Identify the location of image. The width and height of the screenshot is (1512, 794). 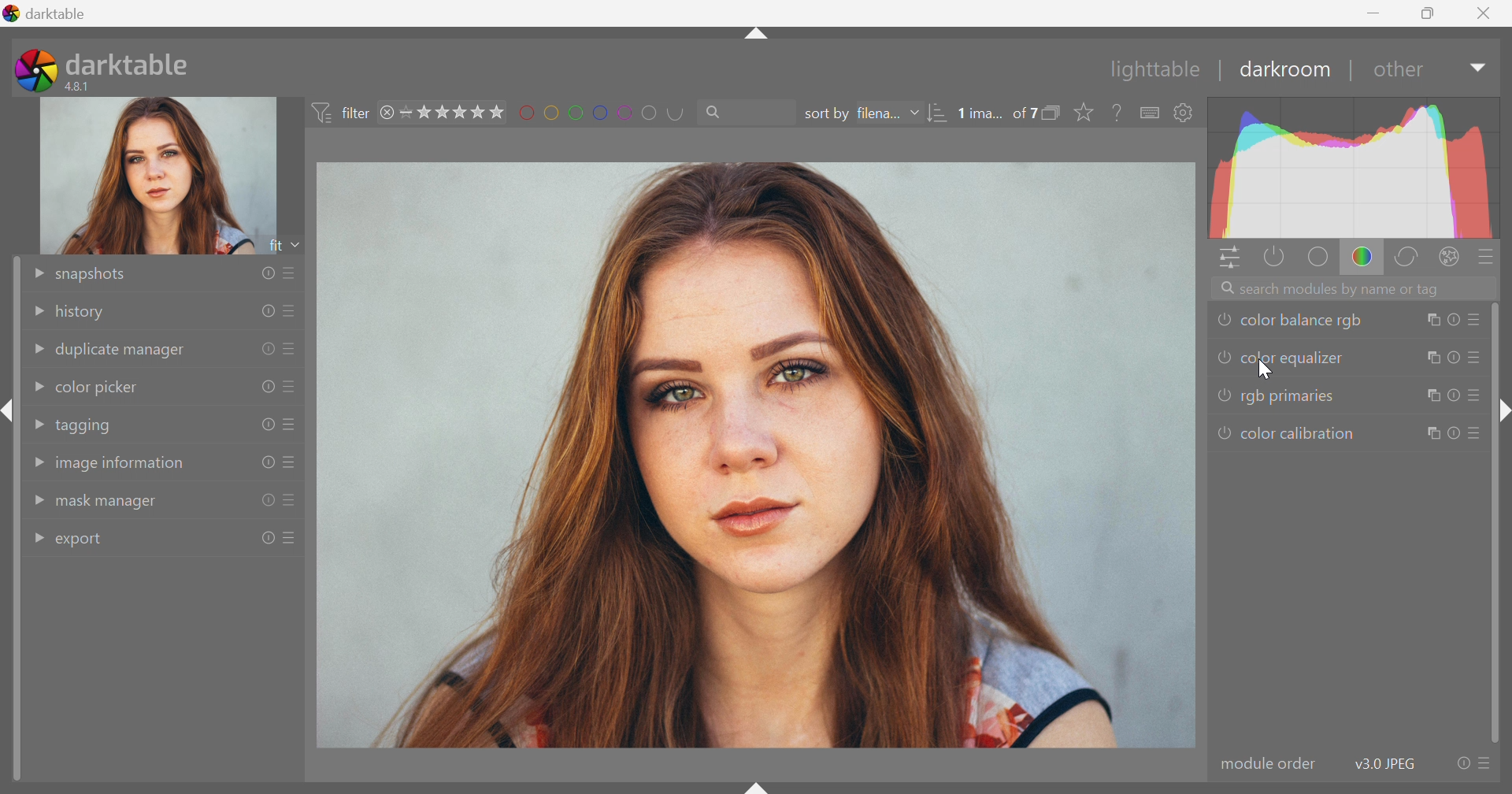
(160, 176).